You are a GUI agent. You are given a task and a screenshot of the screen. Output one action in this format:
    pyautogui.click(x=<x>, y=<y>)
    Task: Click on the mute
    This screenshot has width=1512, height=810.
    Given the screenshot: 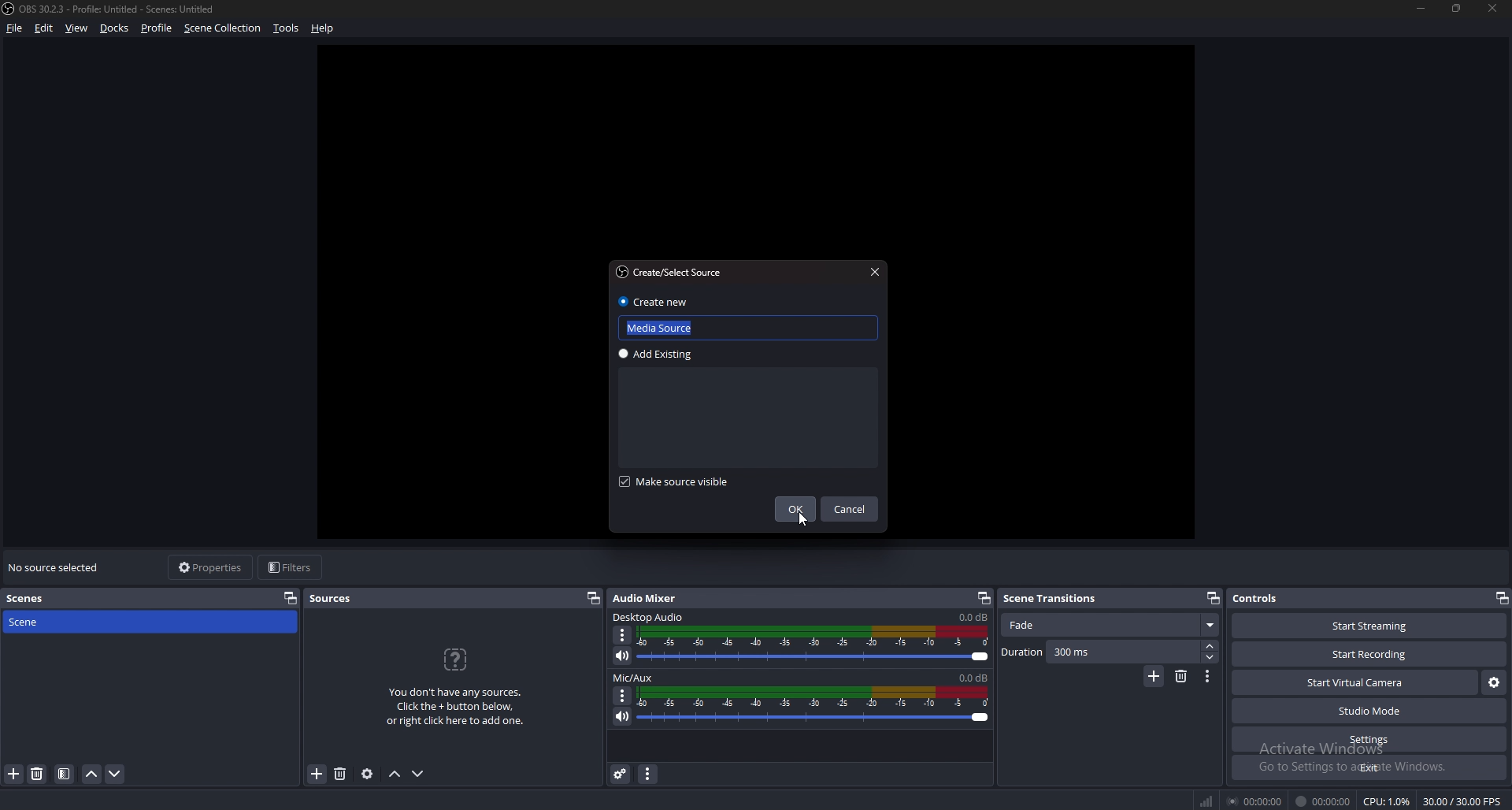 What is the action you would take?
    pyautogui.click(x=622, y=716)
    